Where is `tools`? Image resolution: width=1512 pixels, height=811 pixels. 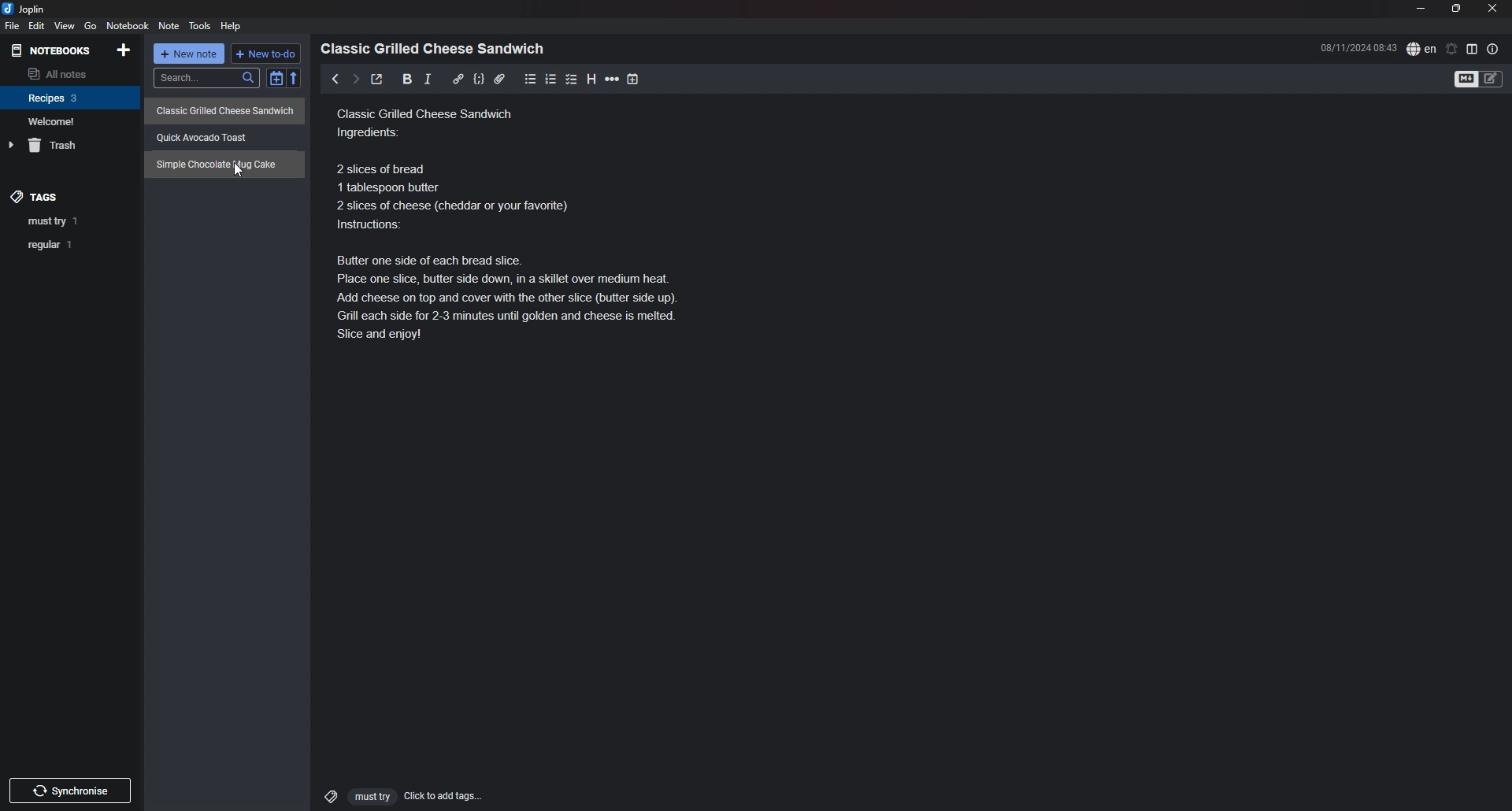
tools is located at coordinates (202, 26).